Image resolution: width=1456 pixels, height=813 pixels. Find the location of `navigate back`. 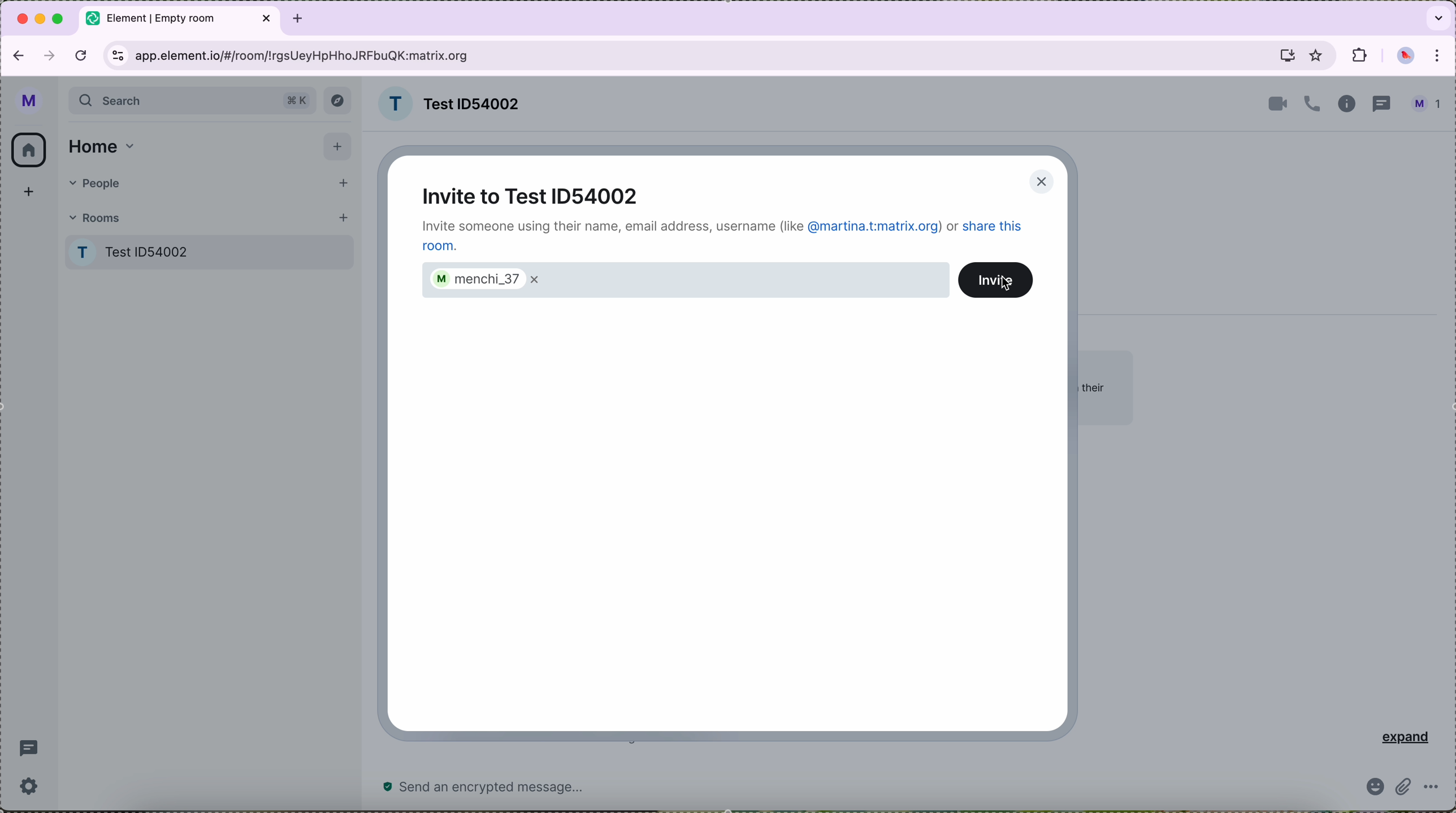

navigate back is located at coordinates (16, 56).